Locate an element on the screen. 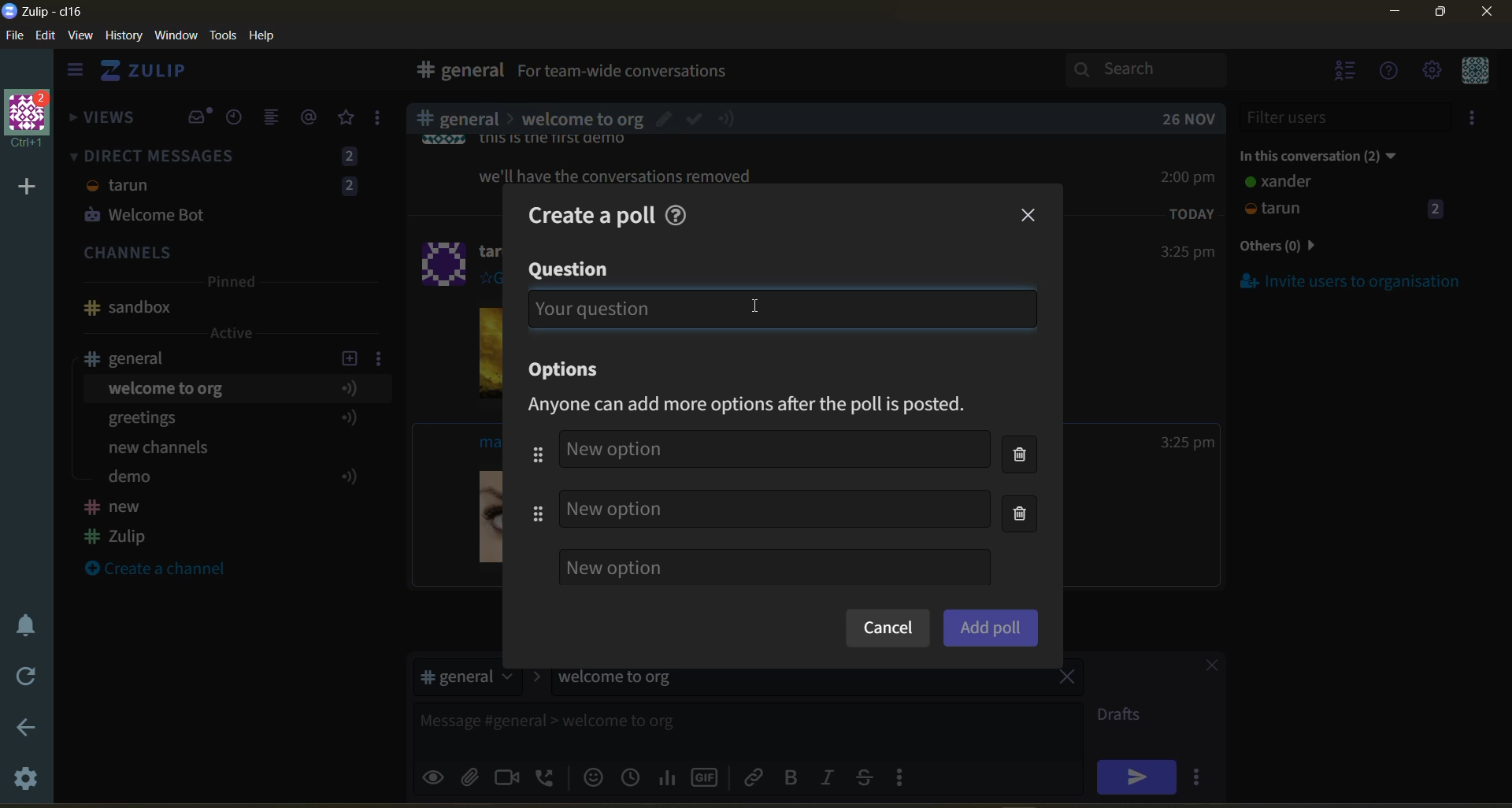 The height and width of the screenshot is (808, 1512). delete is located at coordinates (1025, 487).